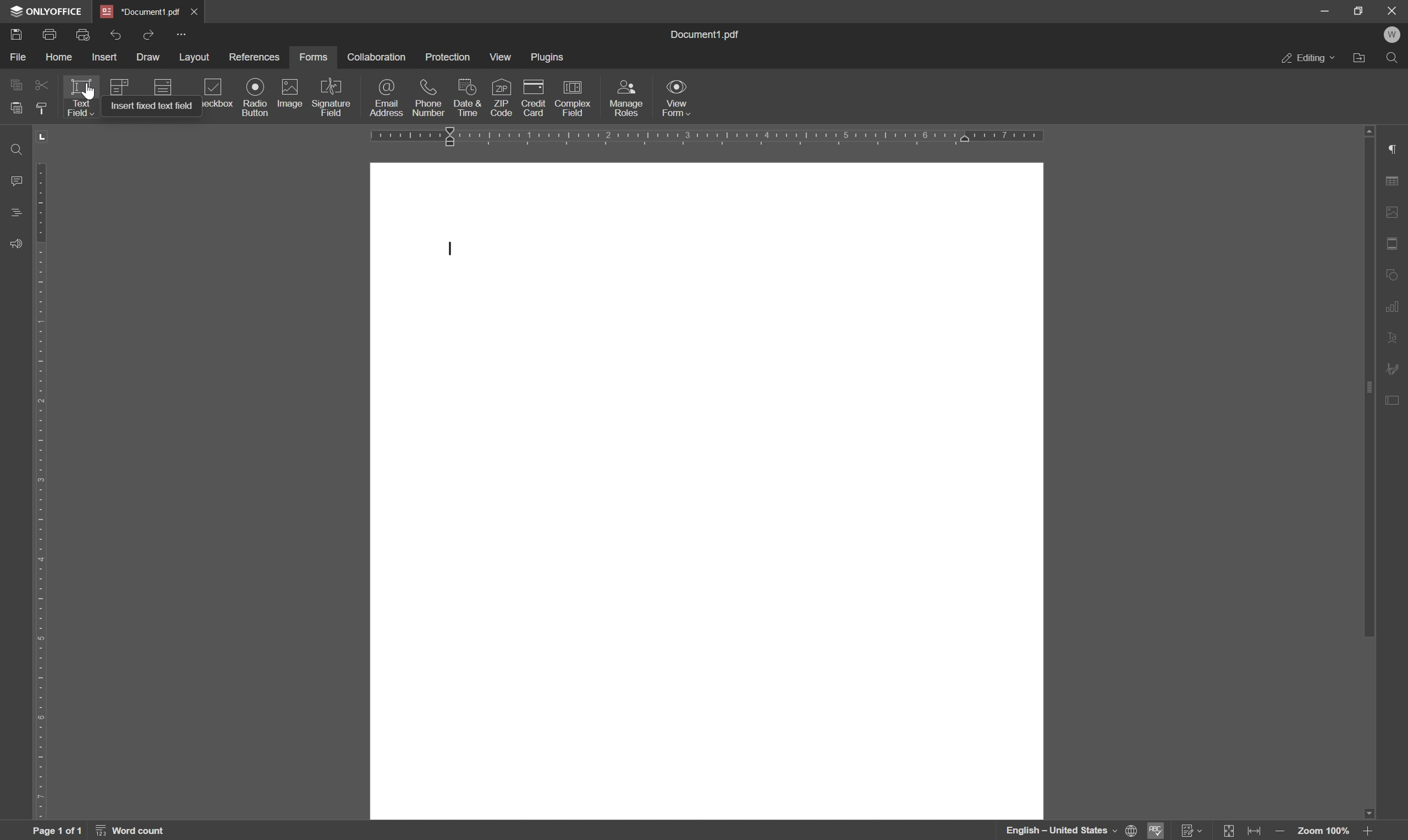 This screenshot has height=840, width=1408. I want to click on redo, so click(149, 33).